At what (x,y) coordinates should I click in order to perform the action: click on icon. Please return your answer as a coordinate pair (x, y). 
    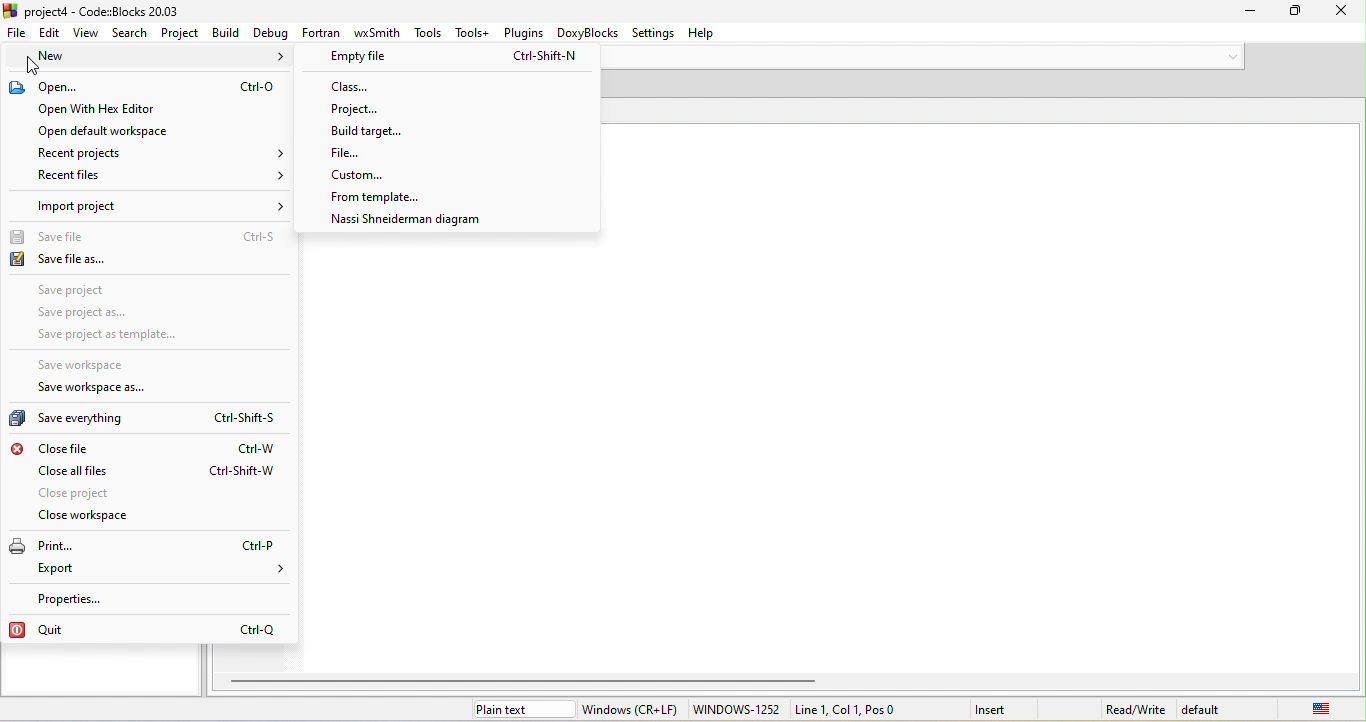
    Looking at the image, I should click on (12, 10).